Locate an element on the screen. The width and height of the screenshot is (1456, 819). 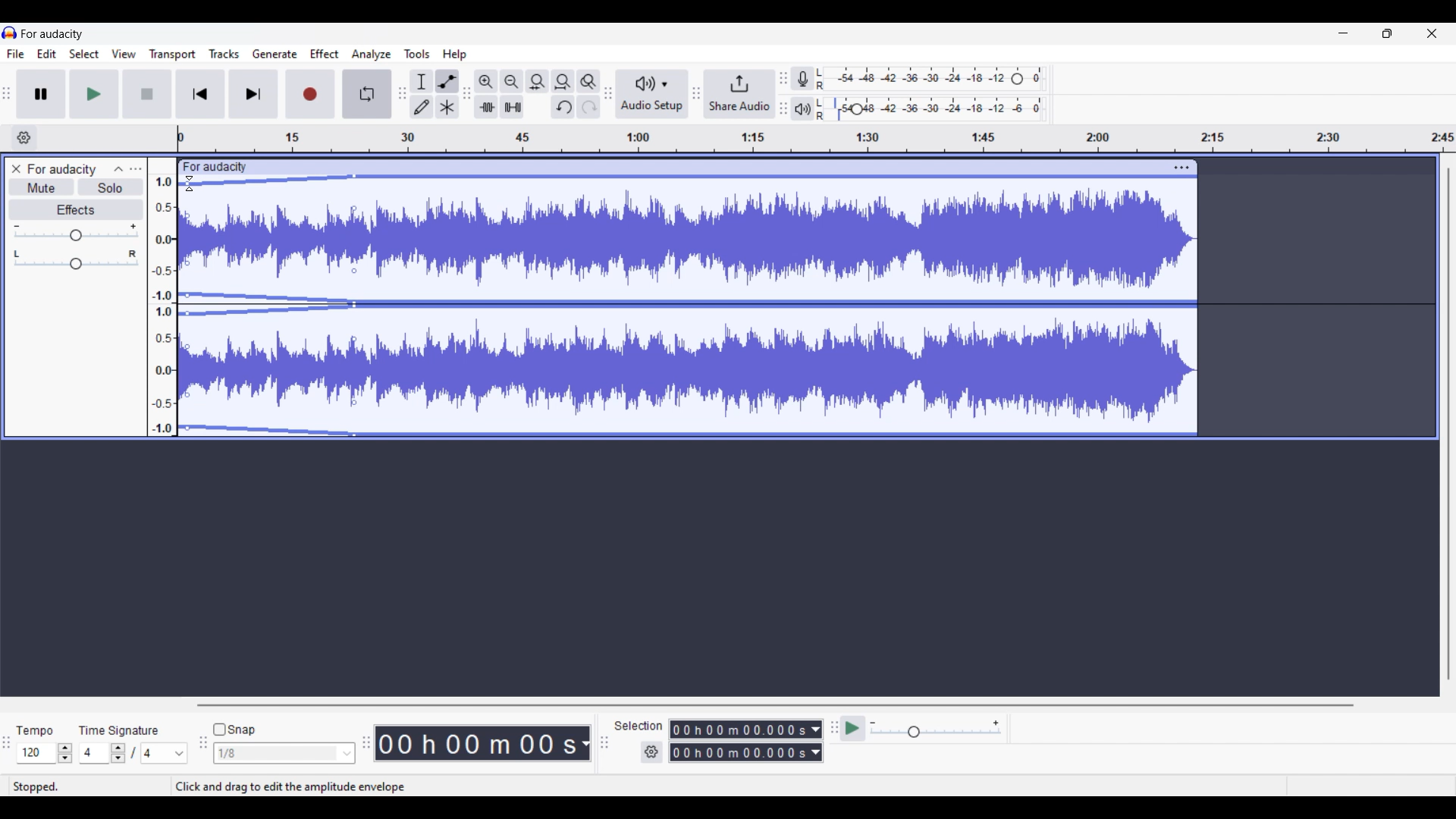
Solo is located at coordinates (110, 187).